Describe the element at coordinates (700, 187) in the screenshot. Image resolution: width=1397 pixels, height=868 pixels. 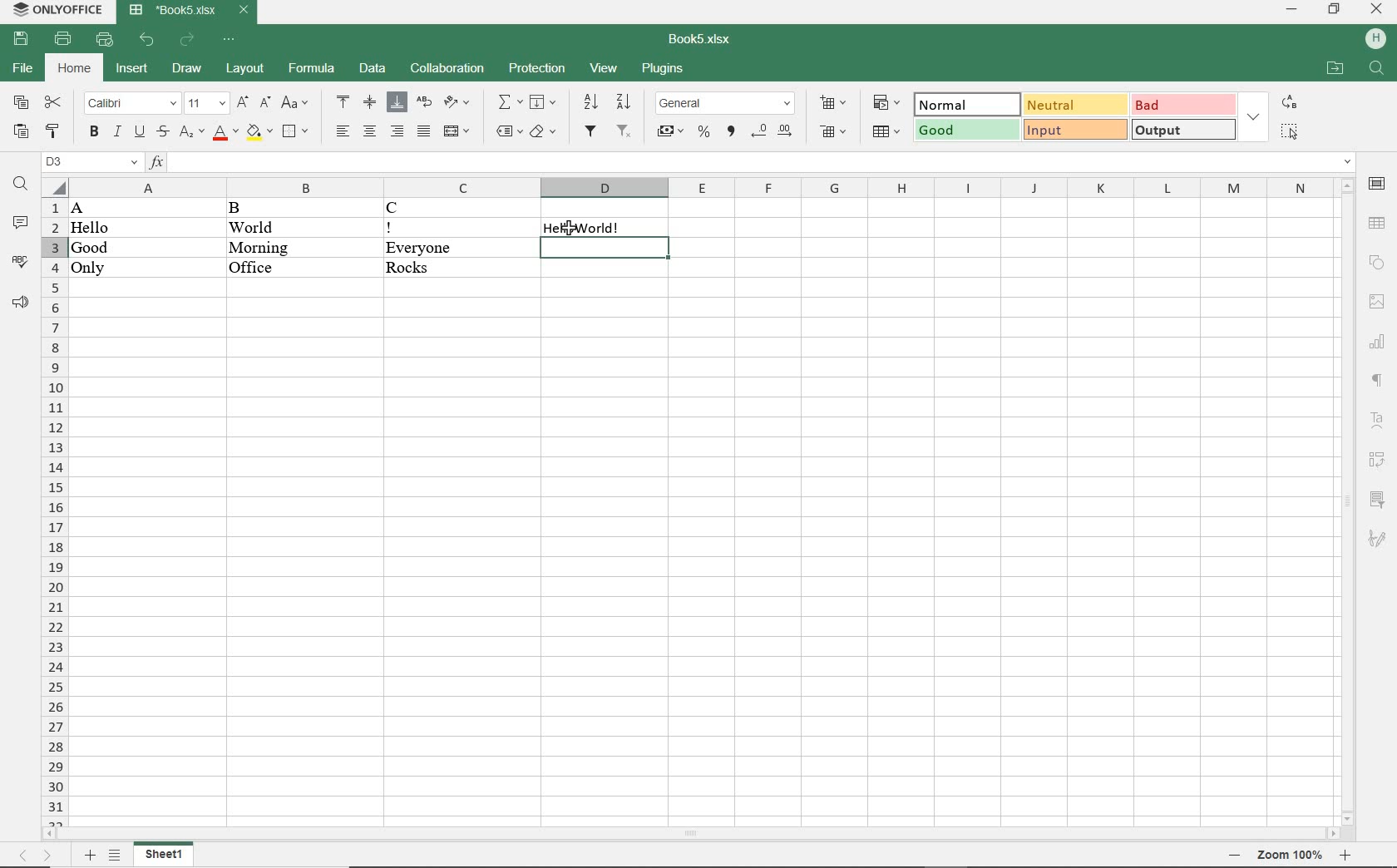
I see `COLUMNS` at that location.